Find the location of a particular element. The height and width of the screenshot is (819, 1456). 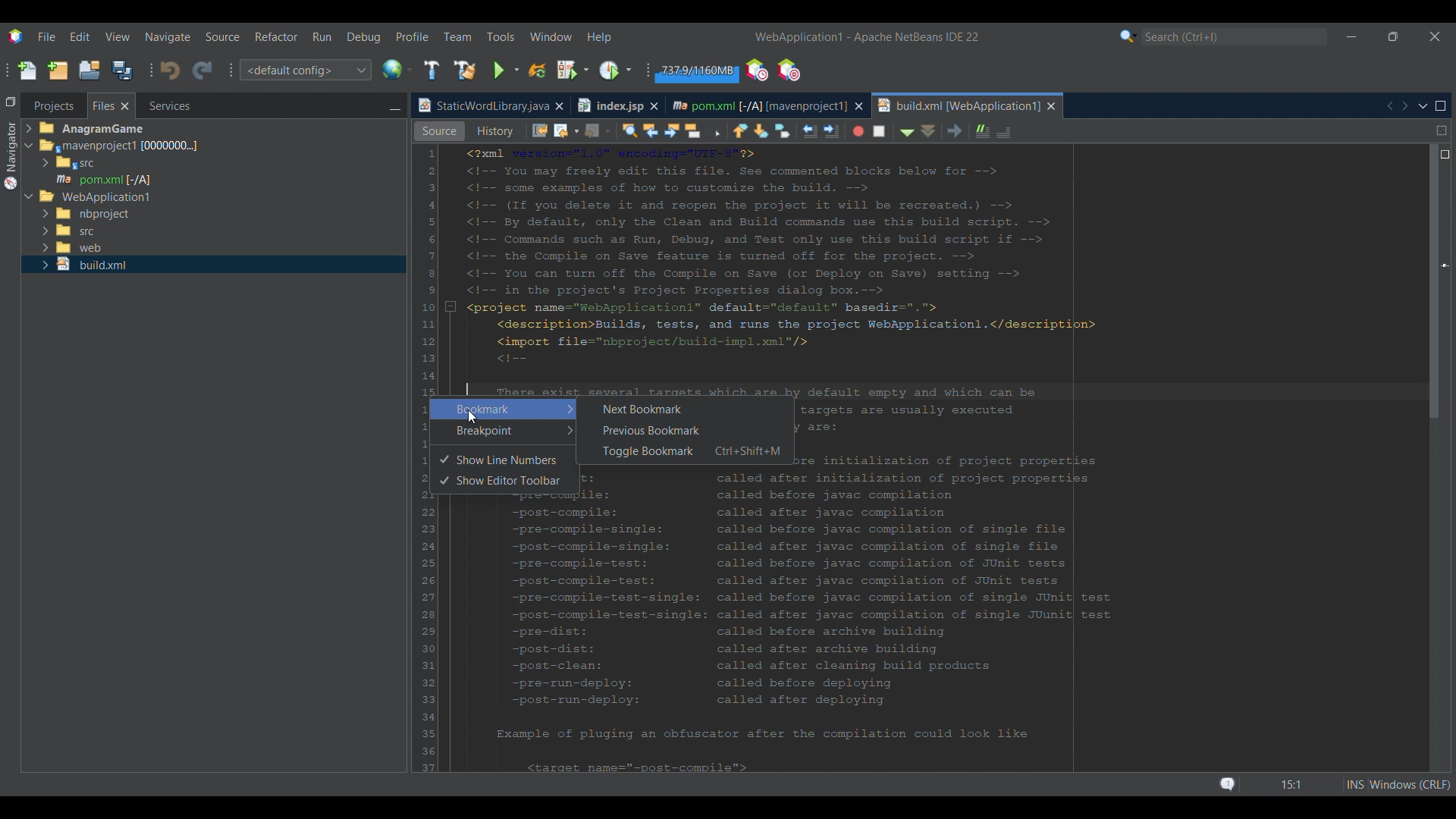

New tab highlighted as current tab is located at coordinates (958, 105).